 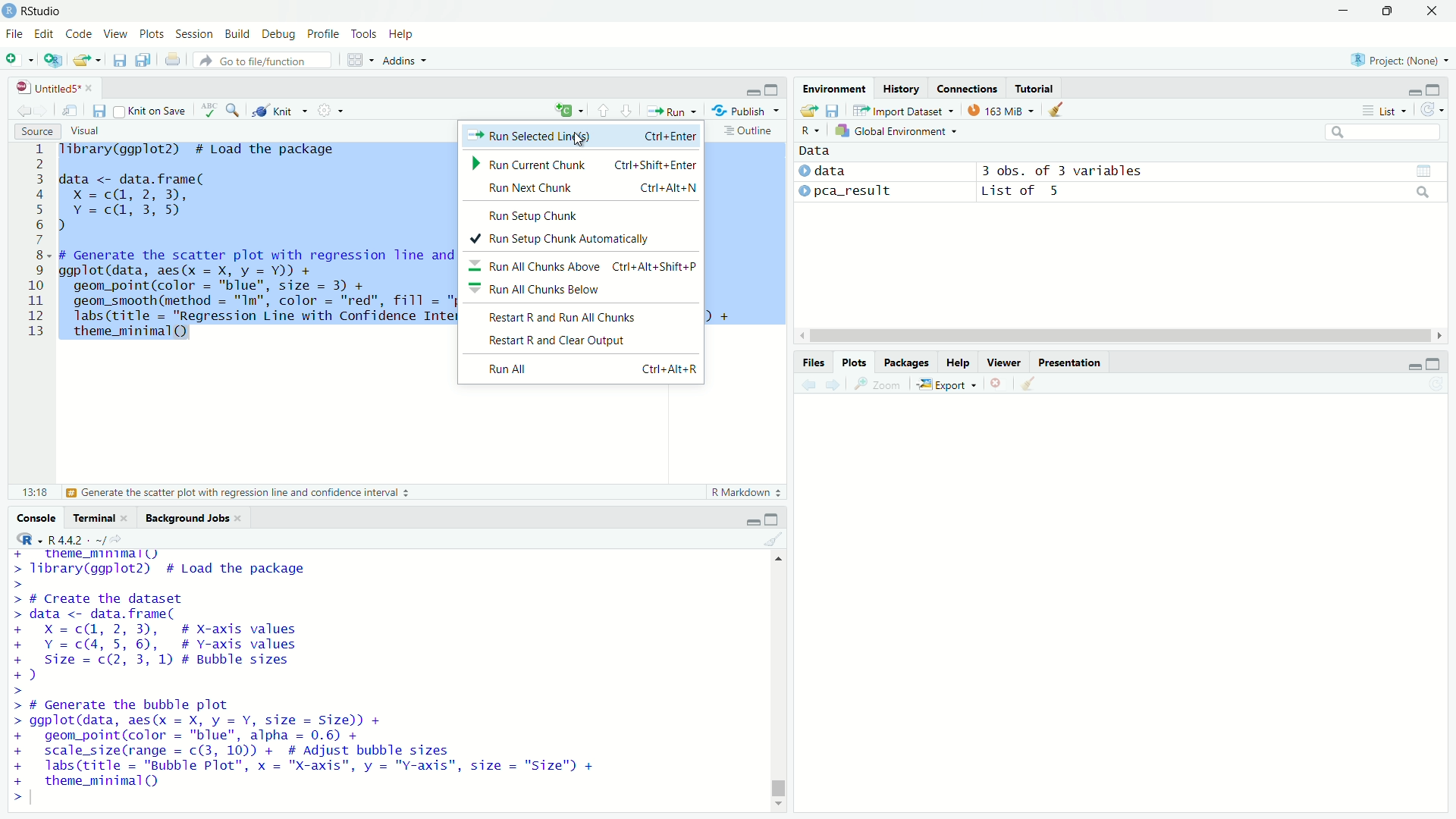 What do you see at coordinates (751, 519) in the screenshot?
I see `minimize` at bounding box center [751, 519].